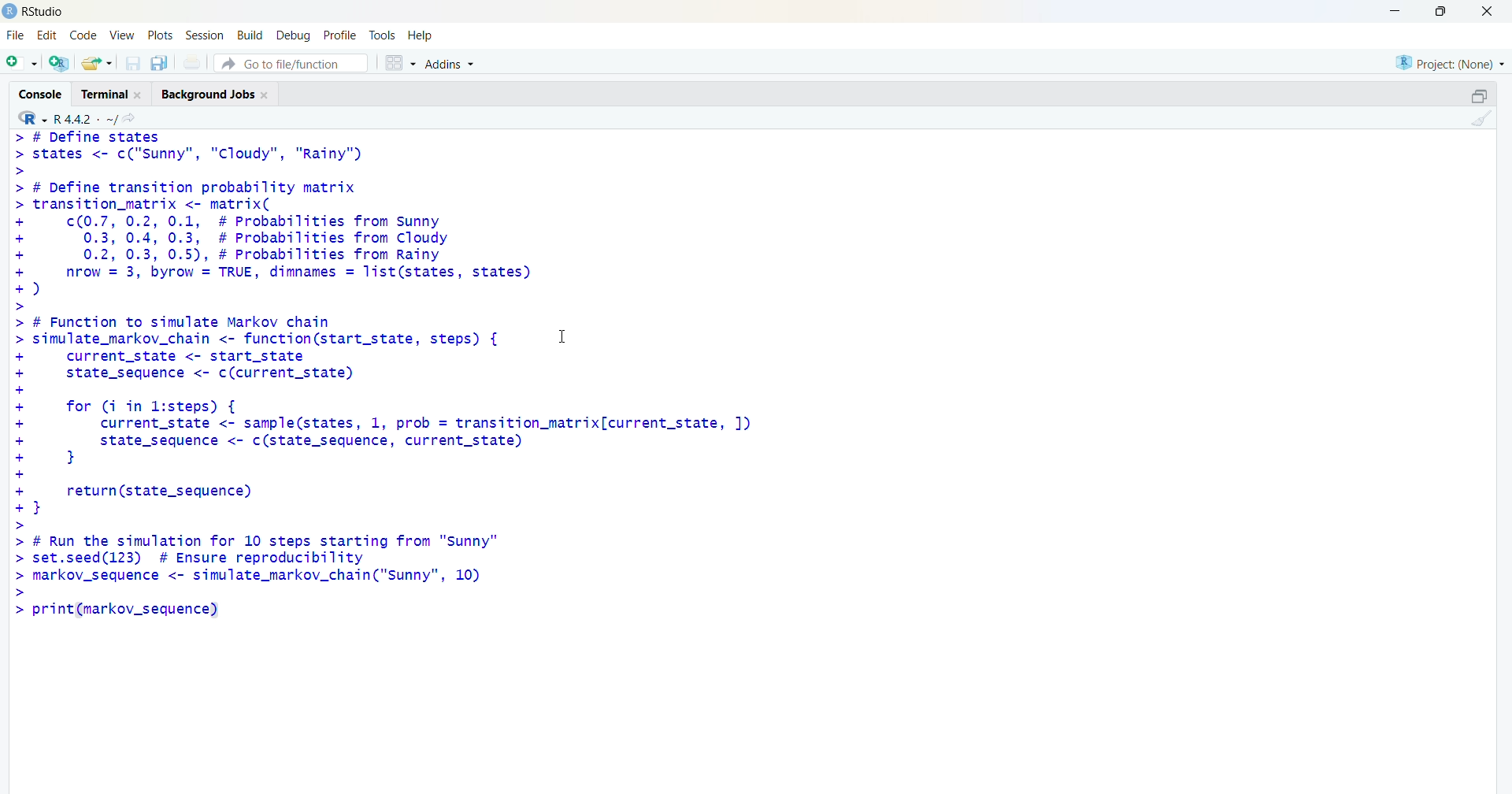  Describe the element at coordinates (1438, 11) in the screenshot. I see `maximize` at that location.